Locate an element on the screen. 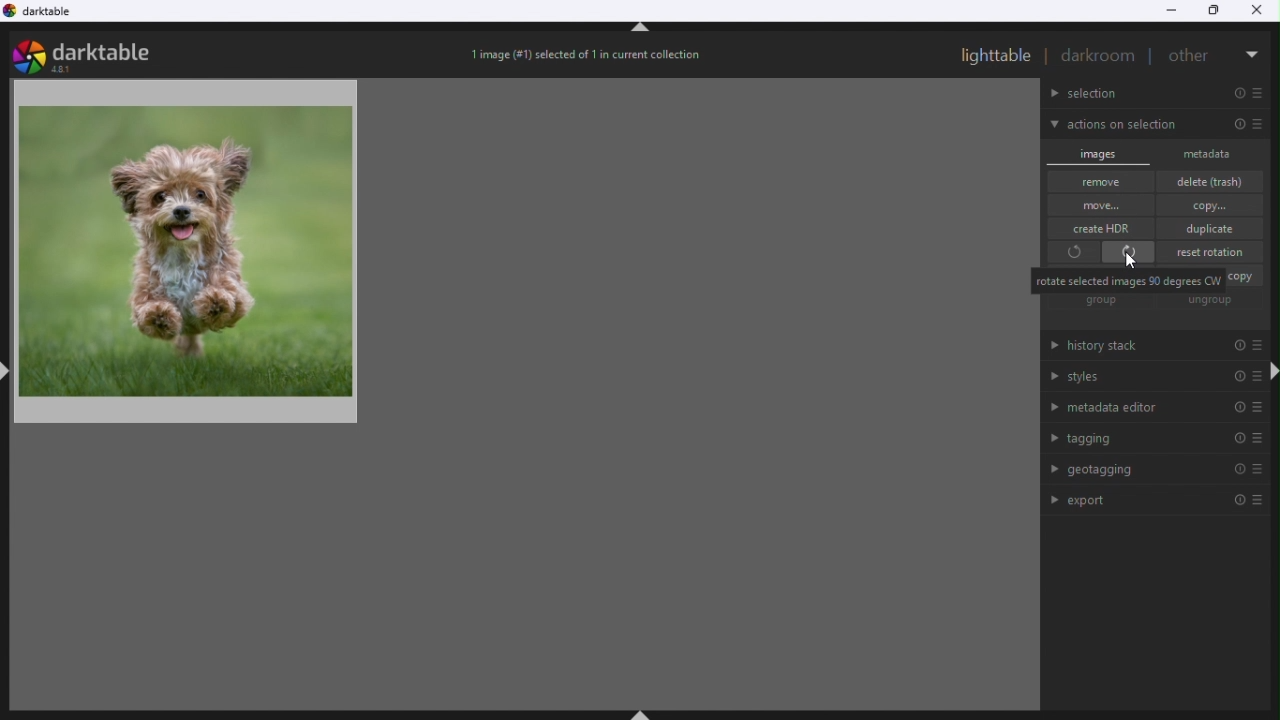 The height and width of the screenshot is (720, 1280). shift+ctrl+b is located at coordinates (644, 712).